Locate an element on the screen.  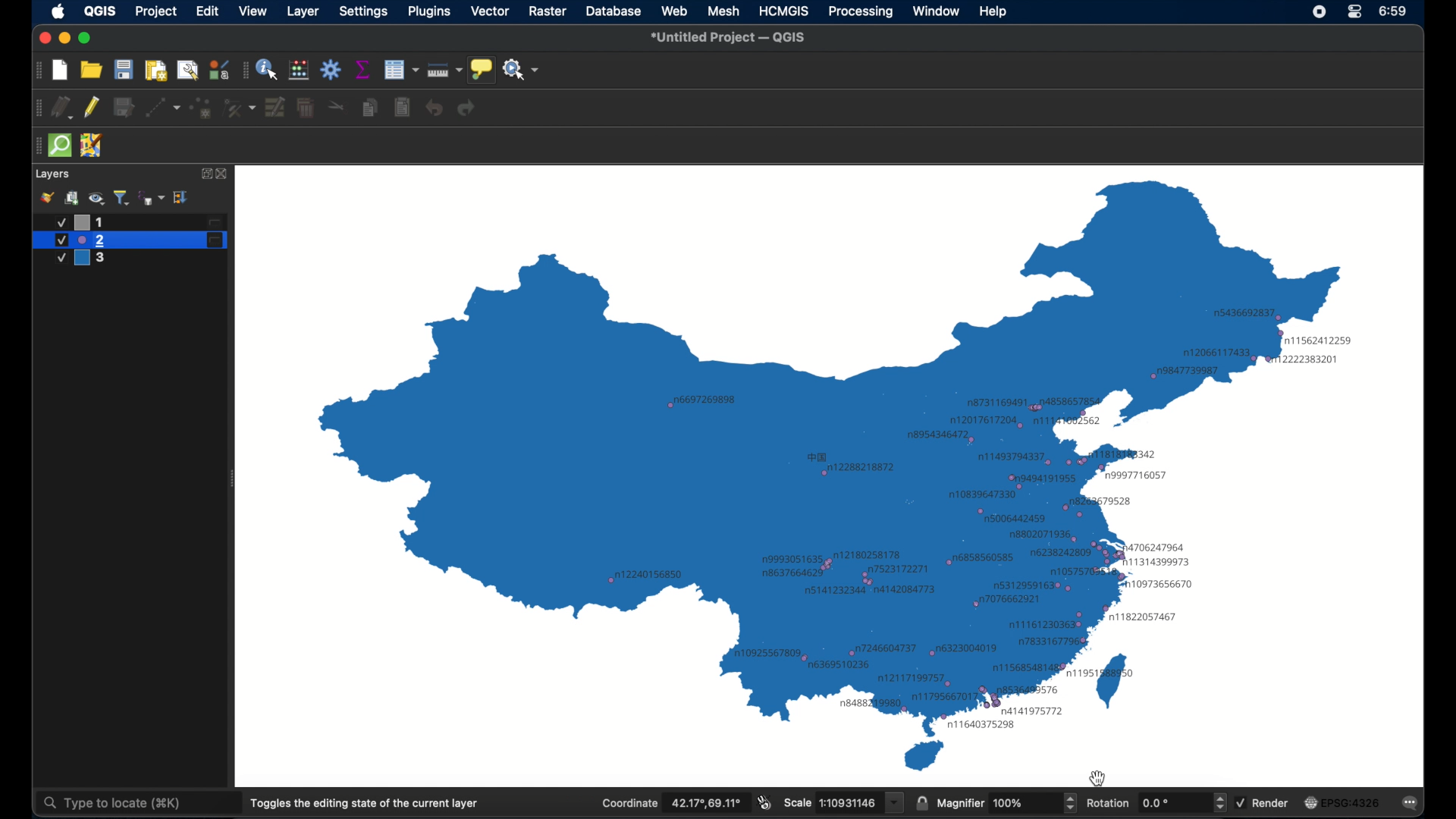
expand is located at coordinates (204, 174).